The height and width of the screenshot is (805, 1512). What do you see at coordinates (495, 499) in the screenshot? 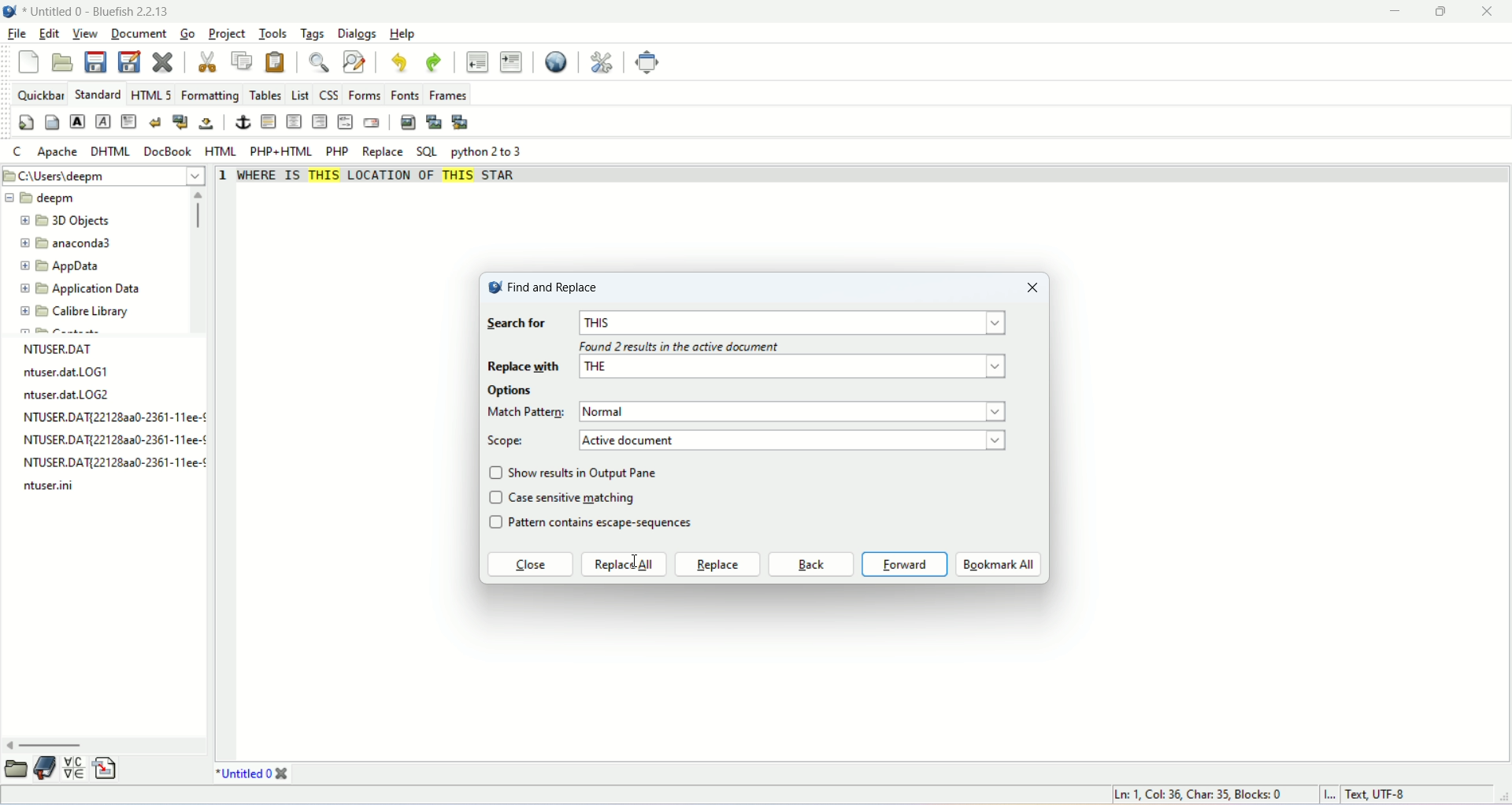
I see `checkbox` at bounding box center [495, 499].